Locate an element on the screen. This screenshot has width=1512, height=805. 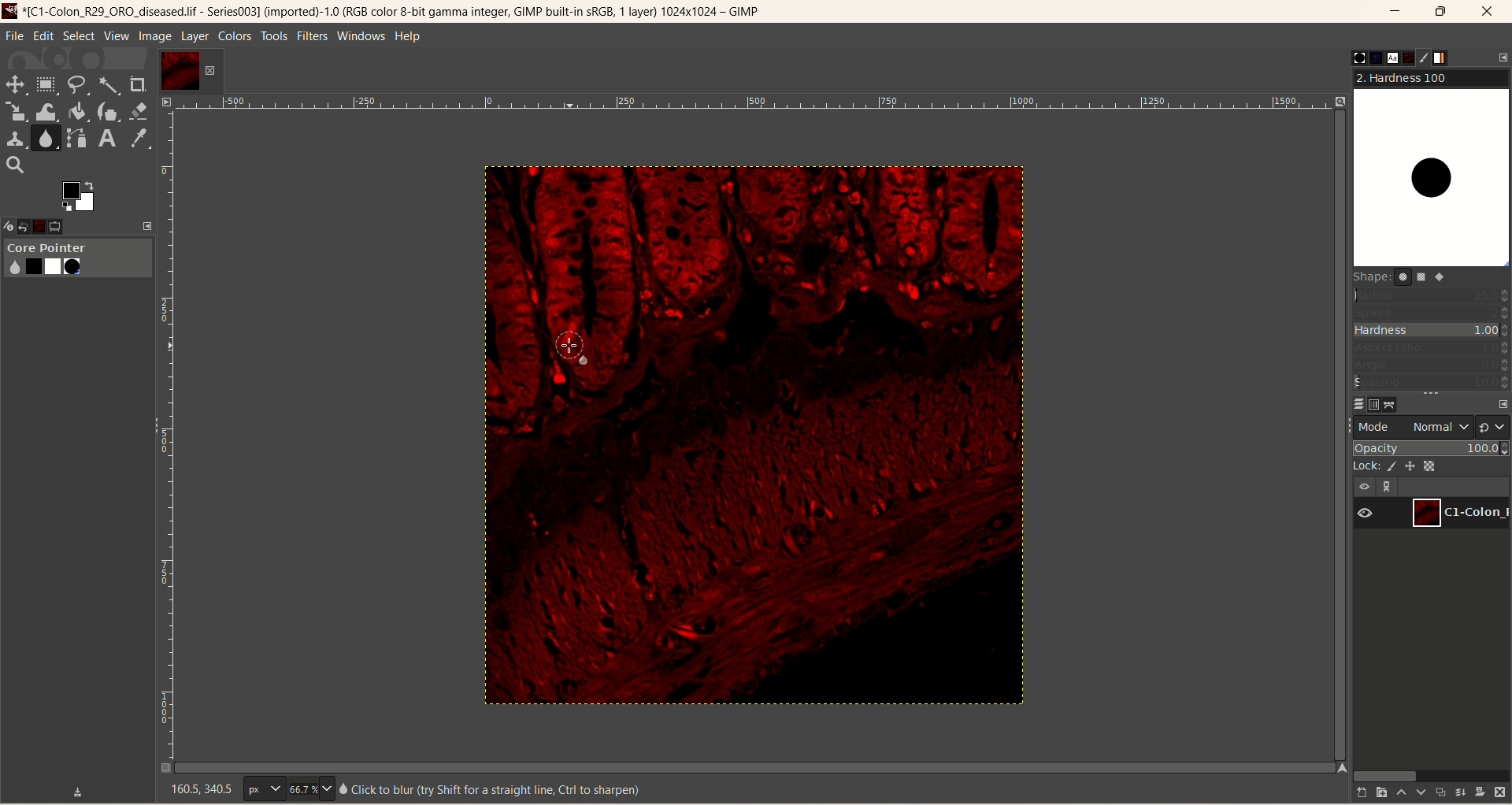
create a new layer is located at coordinates (1377, 792).